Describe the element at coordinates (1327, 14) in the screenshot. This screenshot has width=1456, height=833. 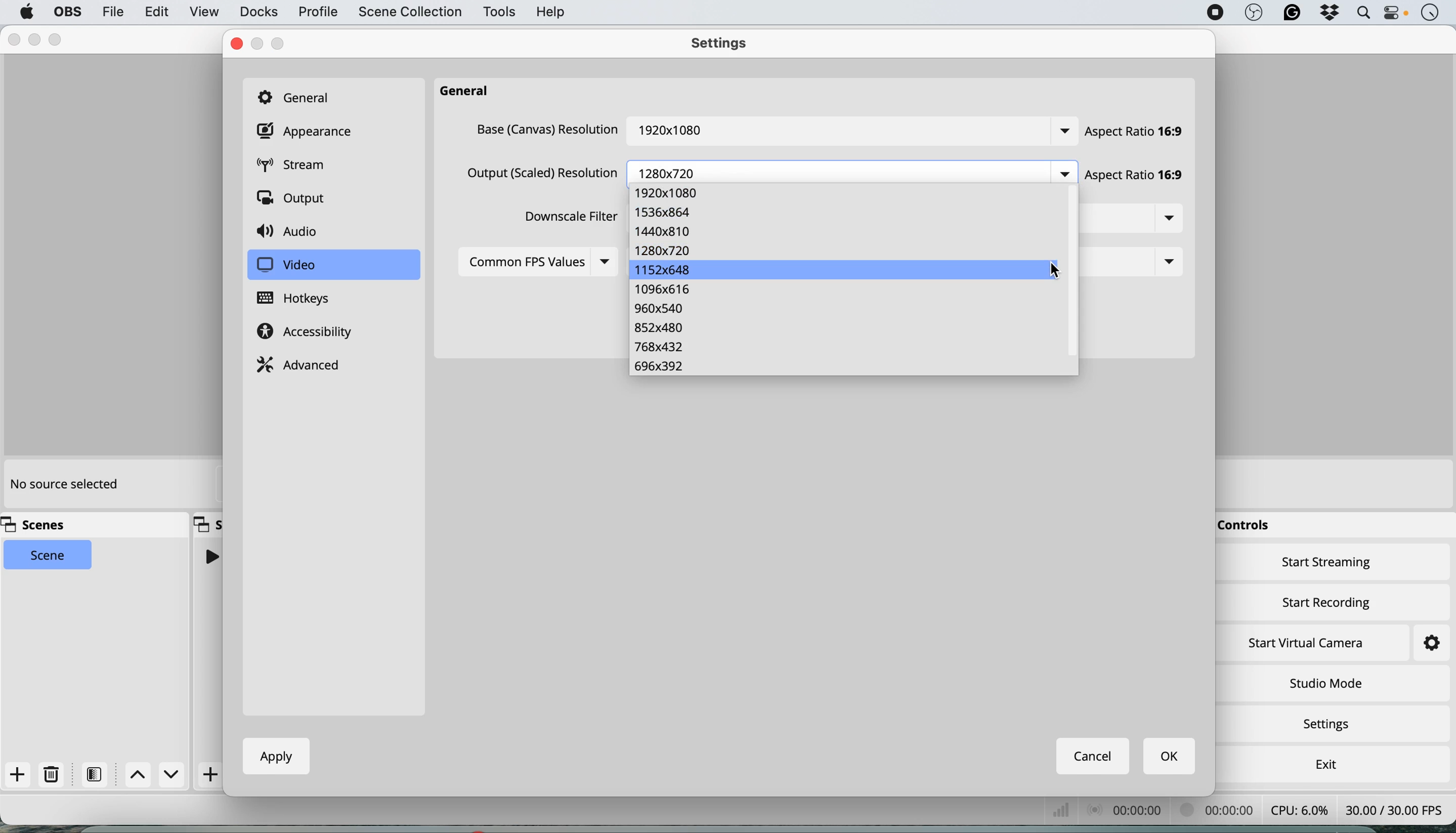
I see `dropbox` at that location.